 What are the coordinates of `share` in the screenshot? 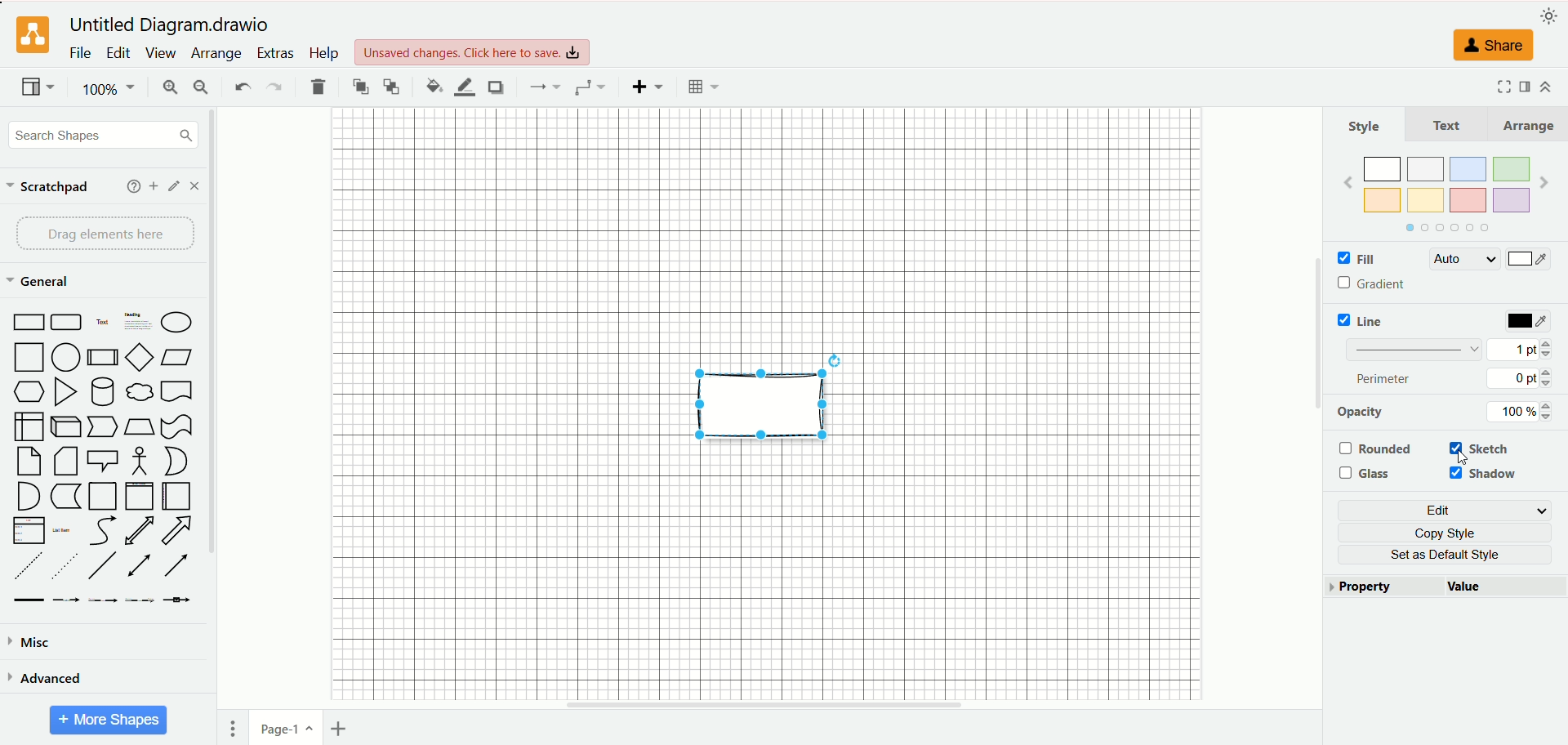 It's located at (1489, 45).